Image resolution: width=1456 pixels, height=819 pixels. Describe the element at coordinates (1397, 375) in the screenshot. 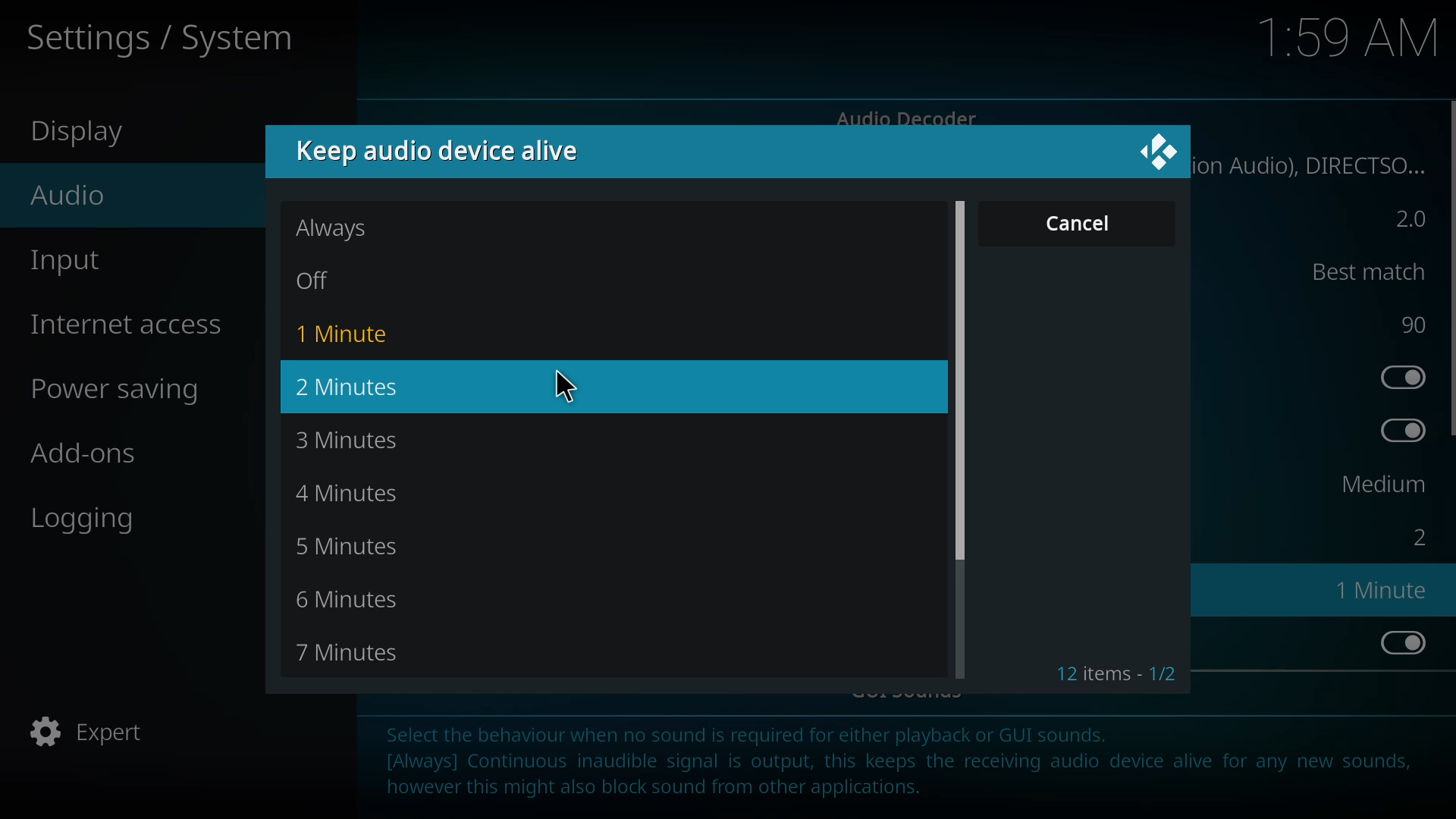

I see `enabled` at that location.